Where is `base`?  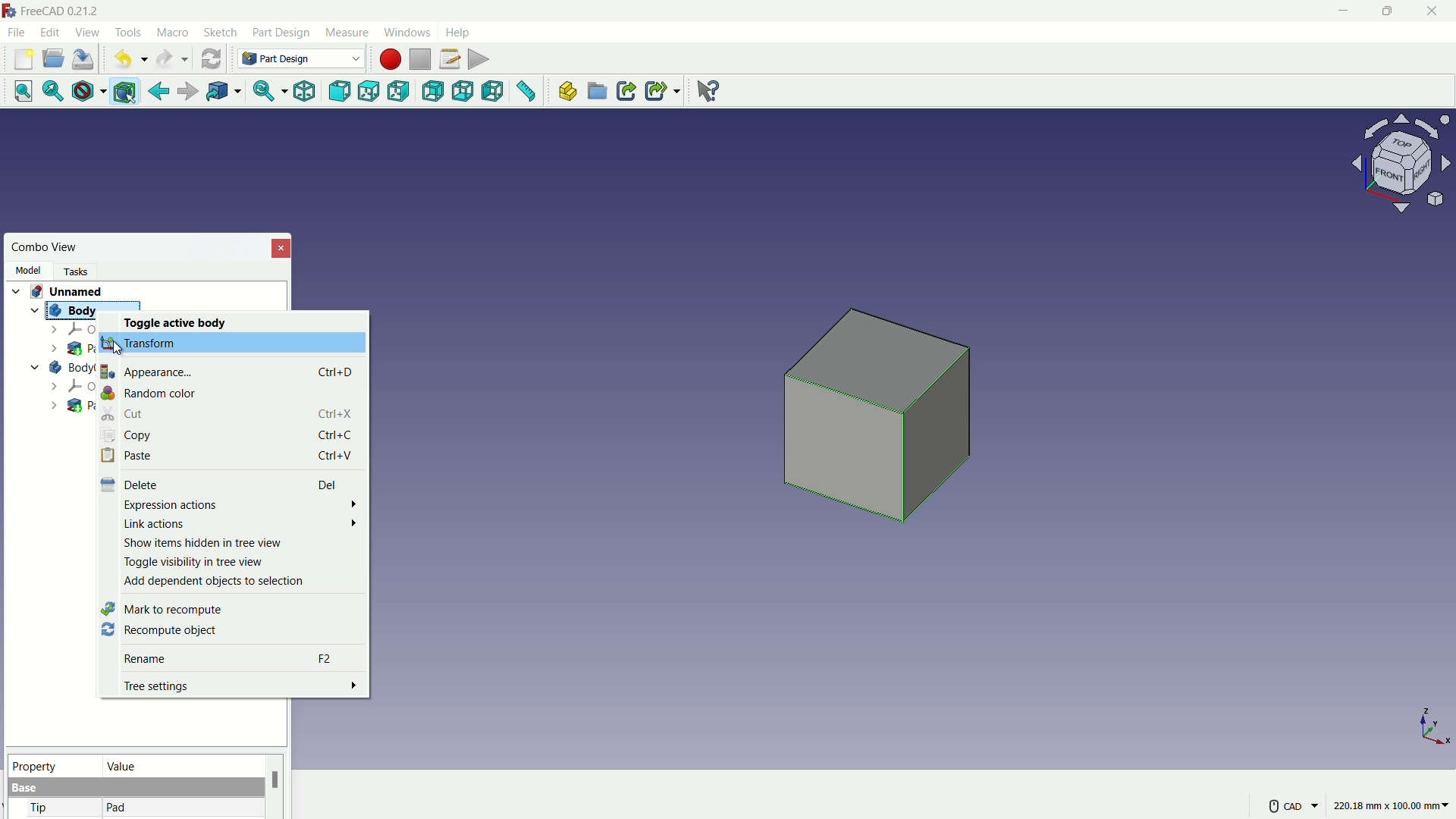 base is located at coordinates (26, 789).